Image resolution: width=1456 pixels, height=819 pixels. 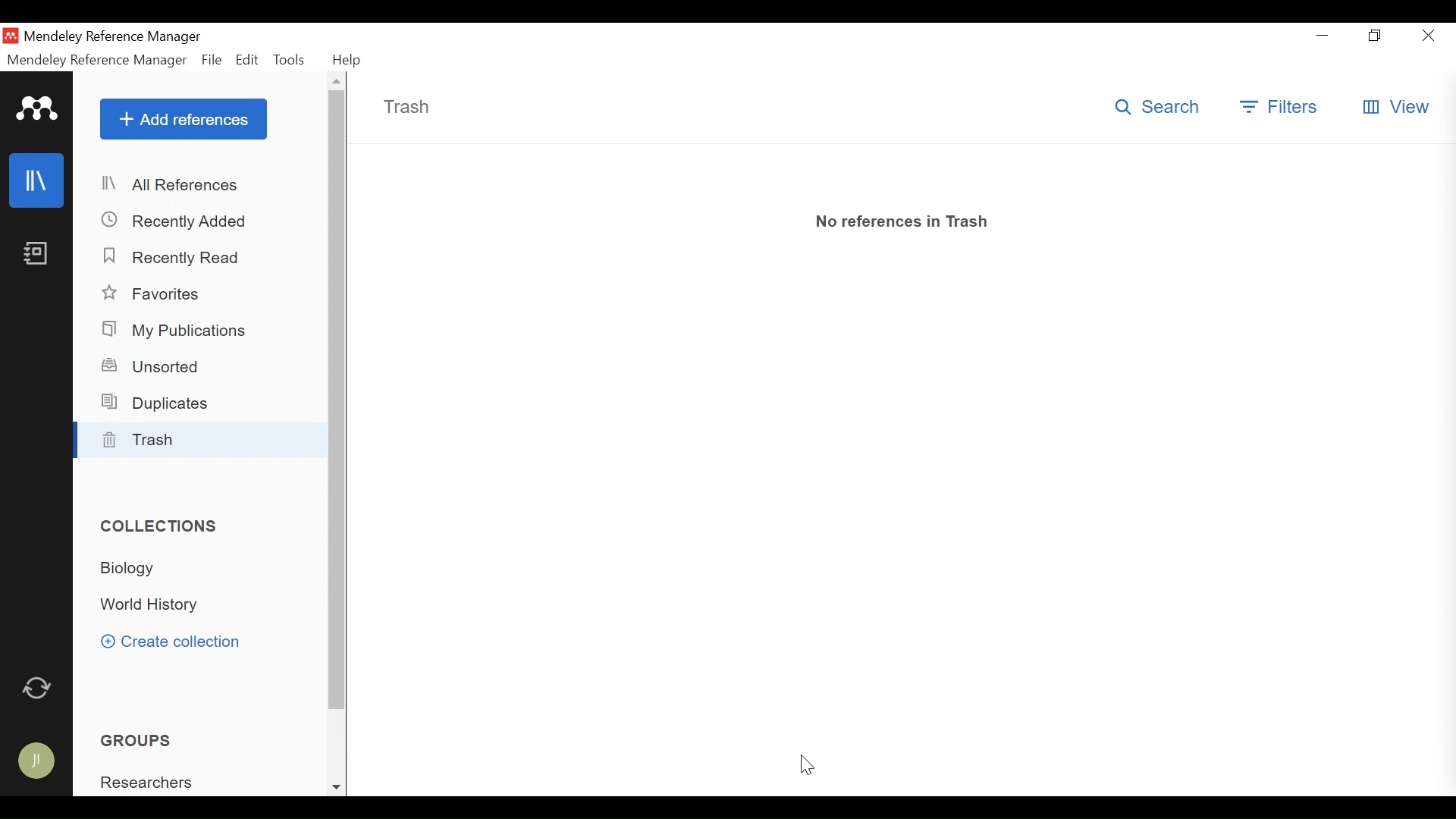 What do you see at coordinates (180, 331) in the screenshot?
I see `My Publications` at bounding box center [180, 331].